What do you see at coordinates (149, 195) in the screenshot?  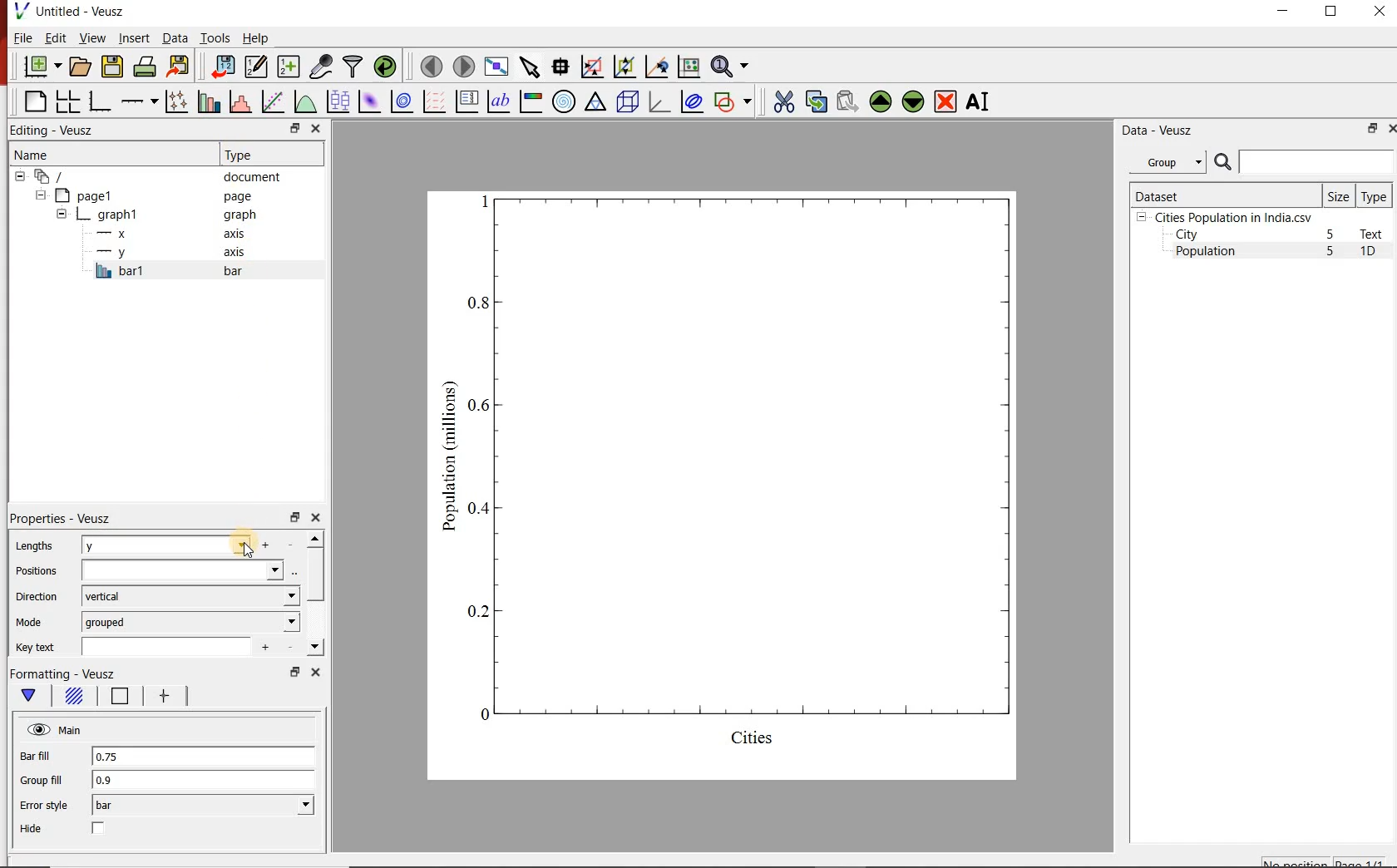 I see `page1` at bounding box center [149, 195].